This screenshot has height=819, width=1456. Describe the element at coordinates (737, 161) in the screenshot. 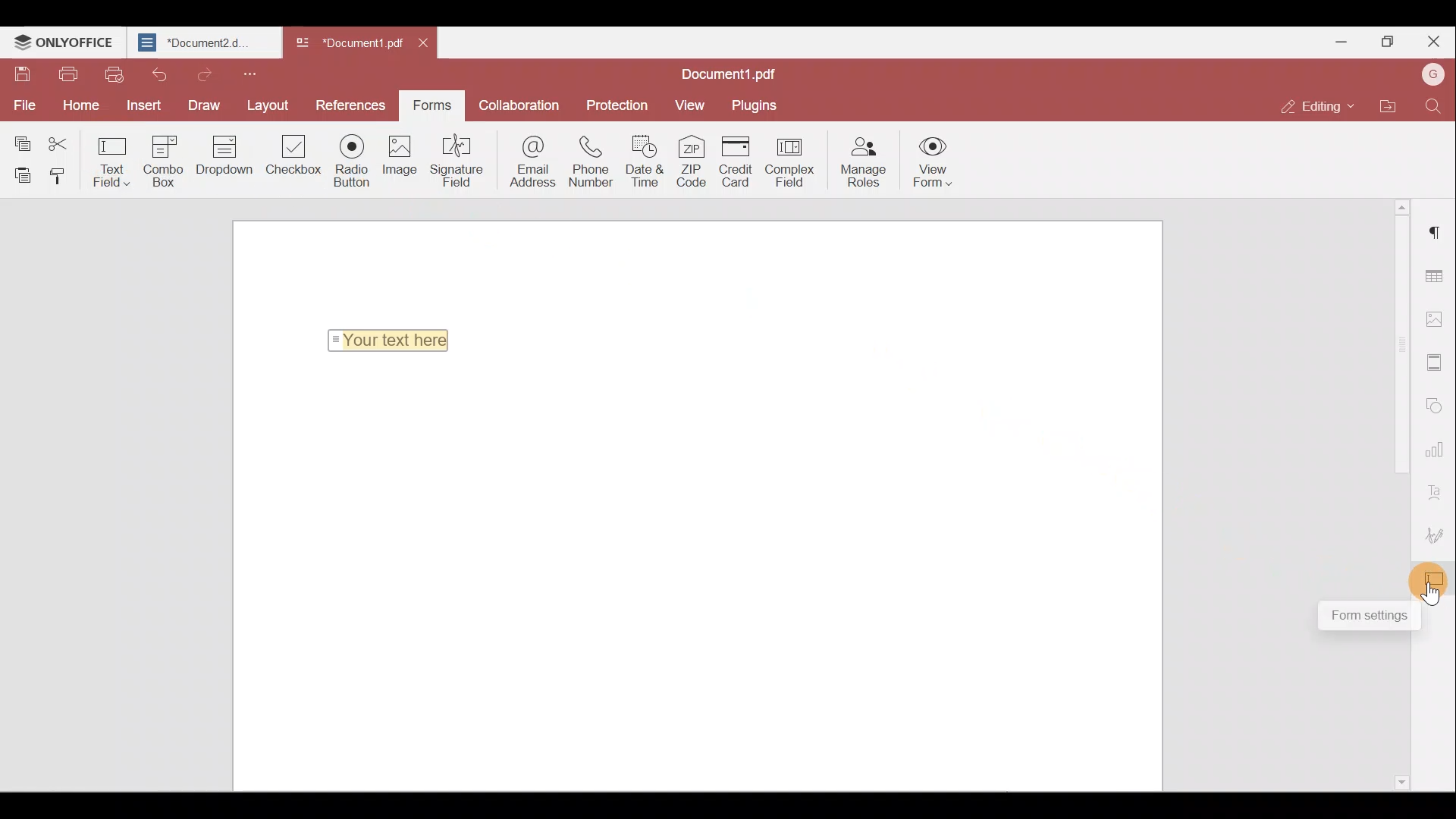

I see `Credit card` at that location.